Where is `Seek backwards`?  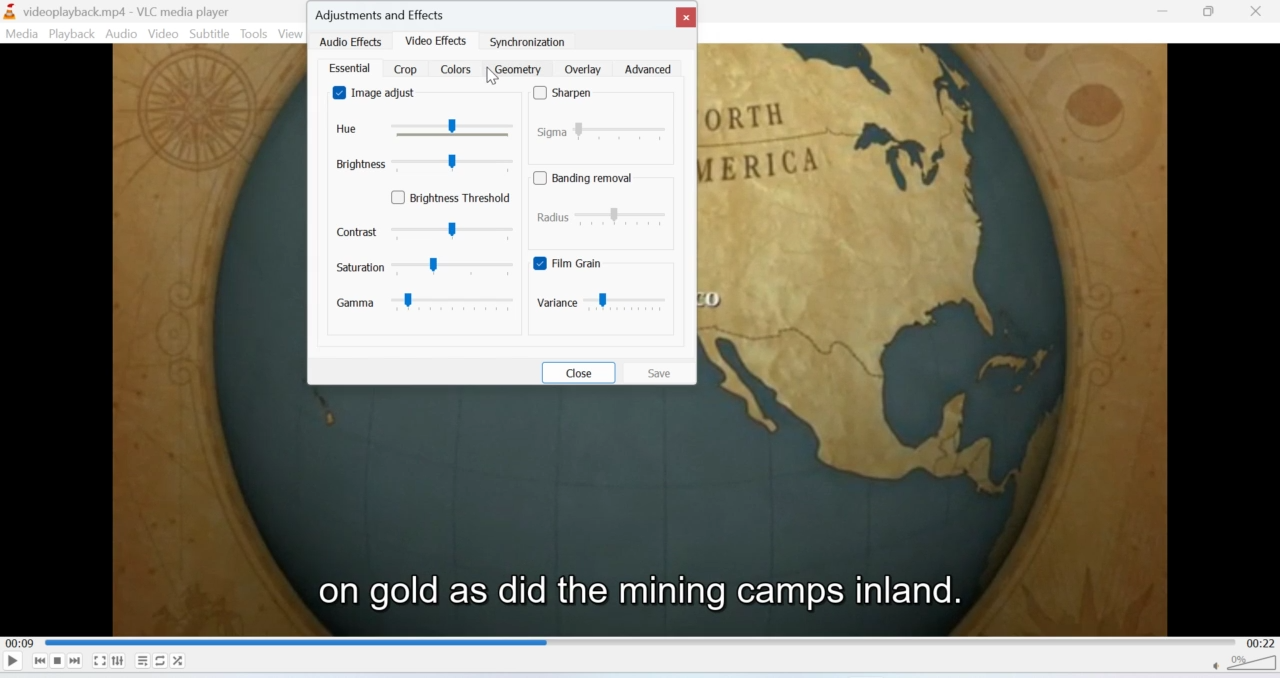
Seek backwards is located at coordinates (40, 661).